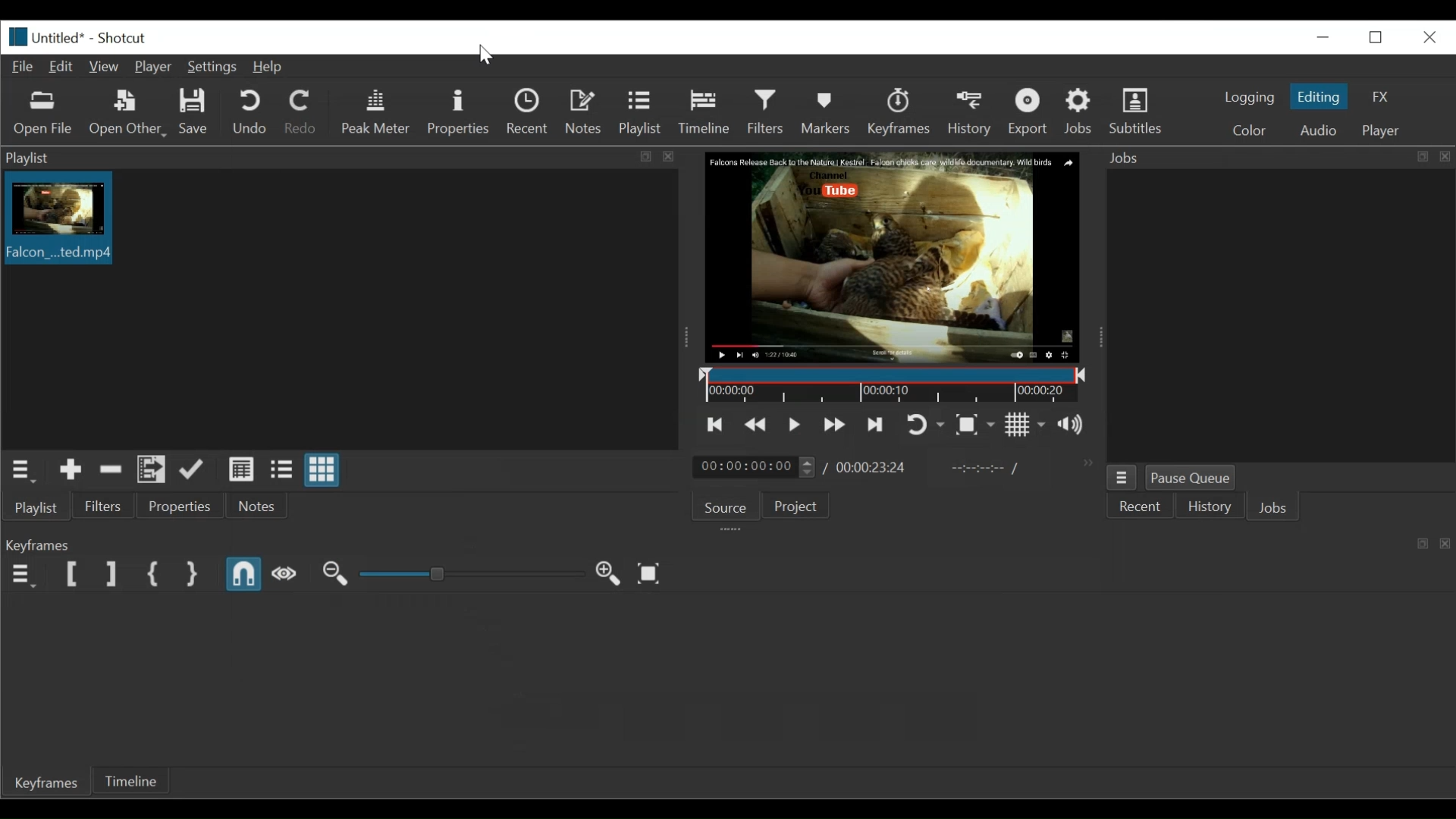 The image size is (1456, 819). I want to click on Open file, so click(43, 113).